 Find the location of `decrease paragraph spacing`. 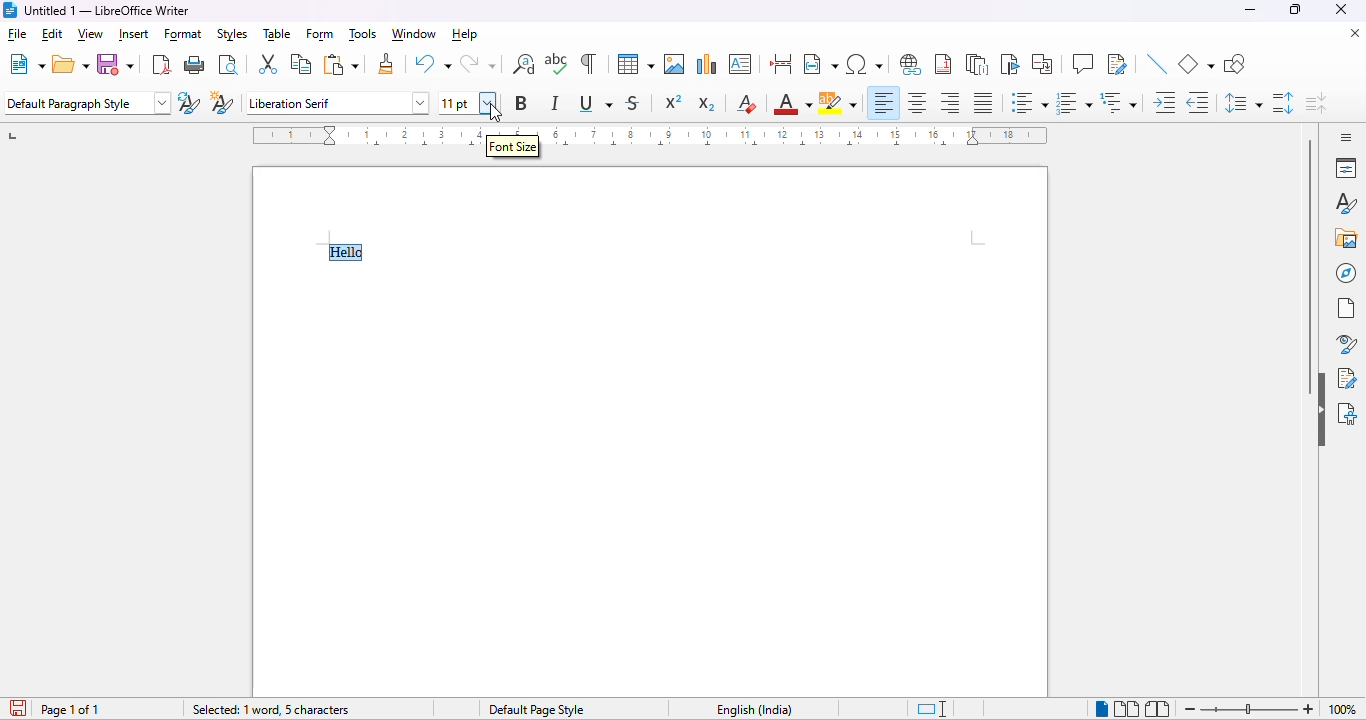

decrease paragraph spacing is located at coordinates (1317, 103).